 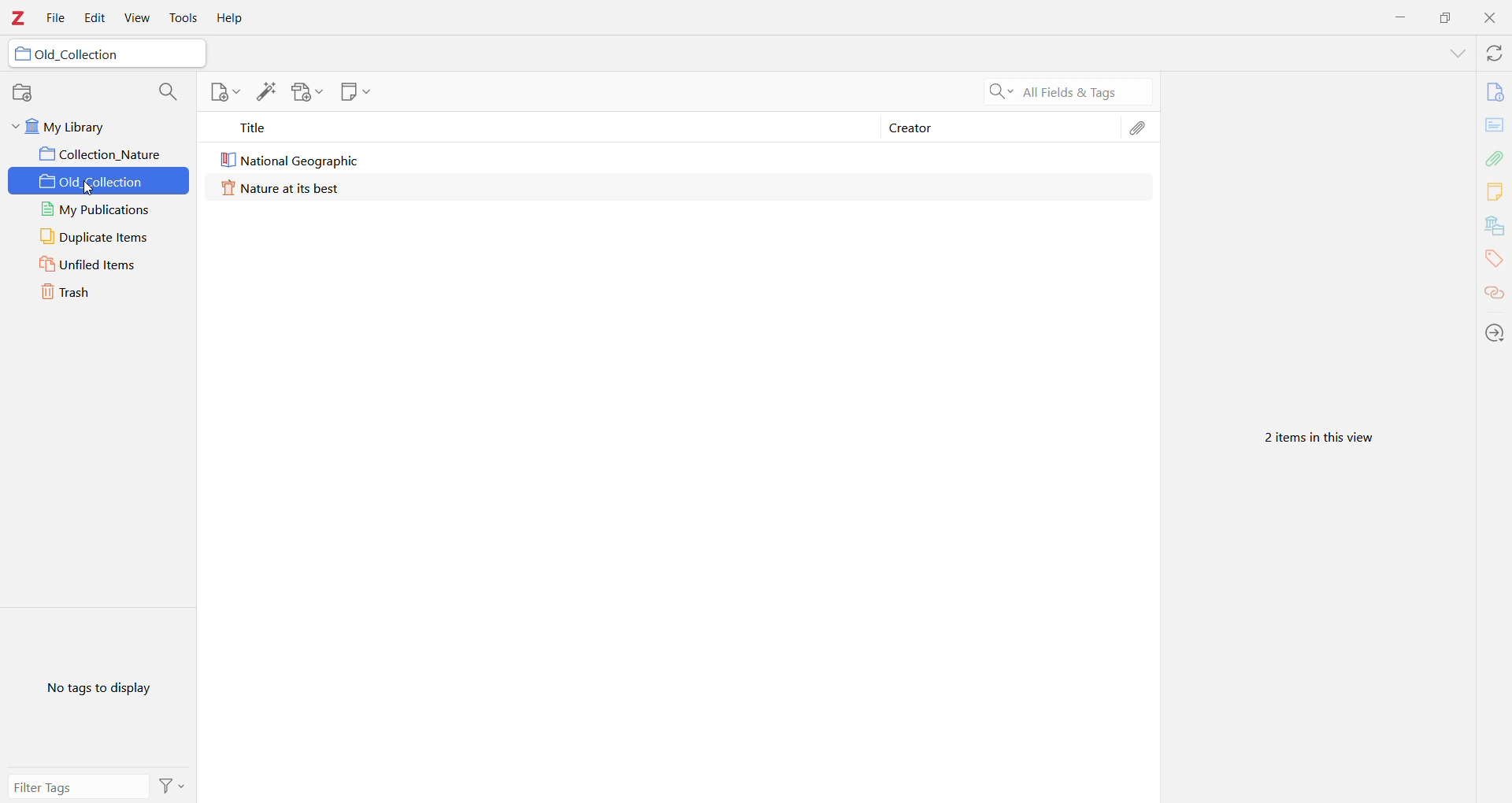 I want to click on Old_Collection, so click(x=89, y=55).